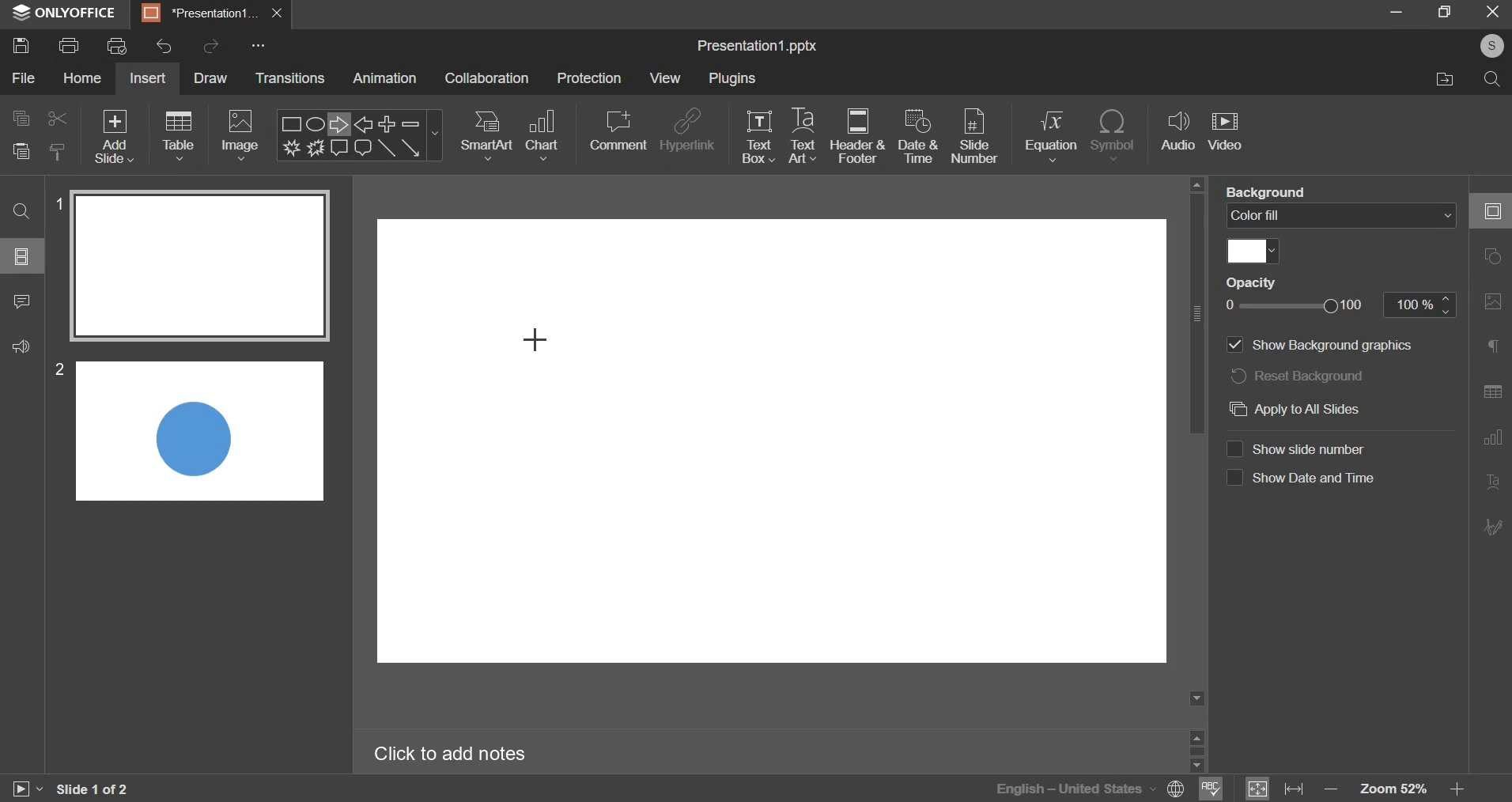 The width and height of the screenshot is (1512, 802). What do you see at coordinates (1197, 316) in the screenshot?
I see `vertical scrollbar` at bounding box center [1197, 316].